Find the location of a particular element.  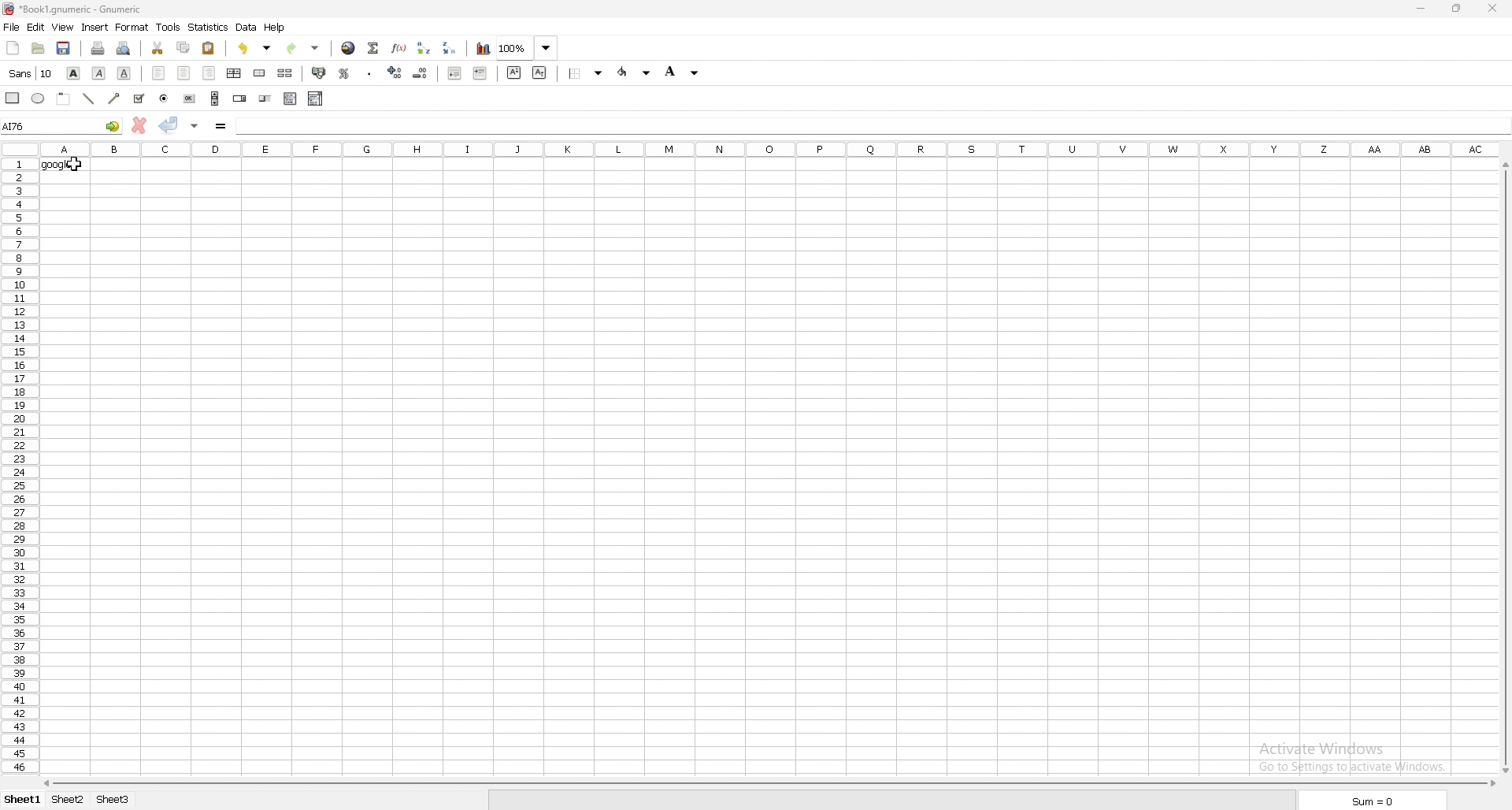

background is located at coordinates (684, 72).